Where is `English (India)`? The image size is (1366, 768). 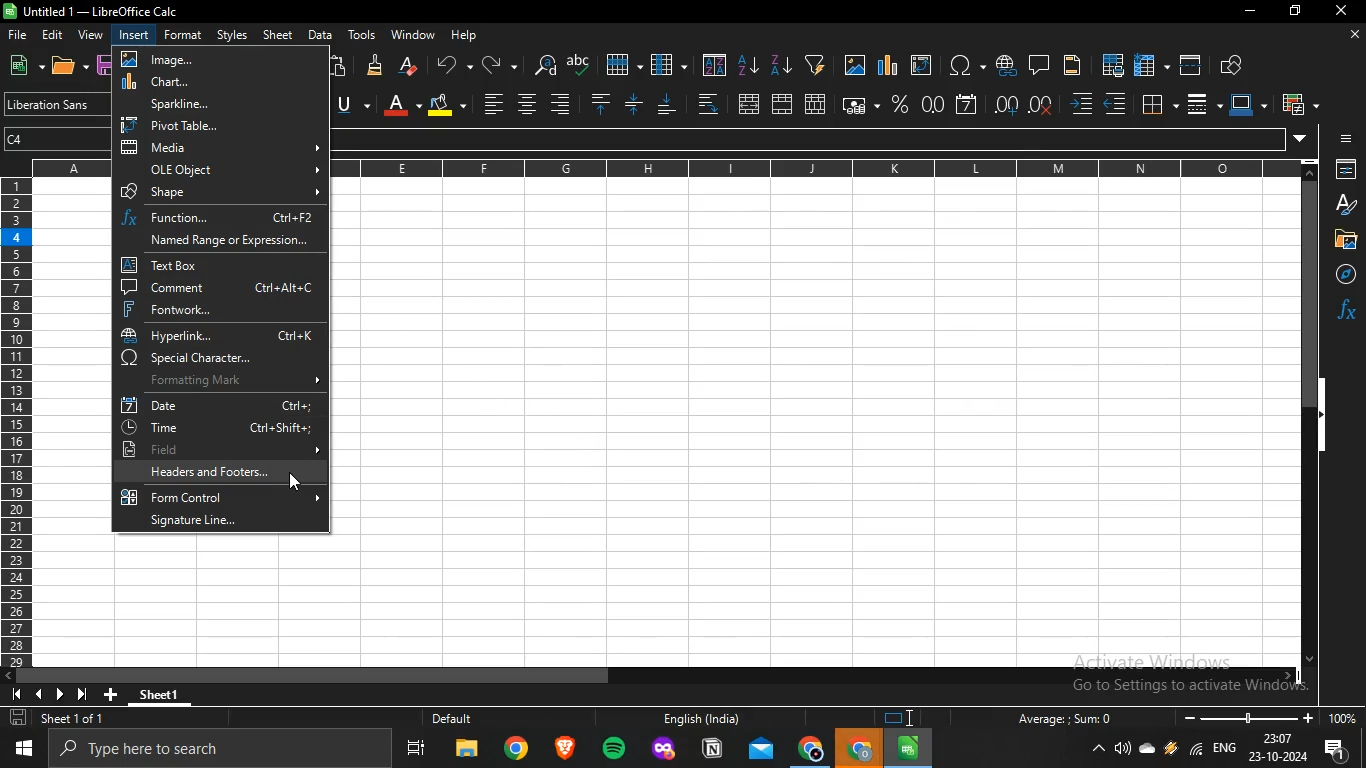 English (India) is located at coordinates (700, 719).